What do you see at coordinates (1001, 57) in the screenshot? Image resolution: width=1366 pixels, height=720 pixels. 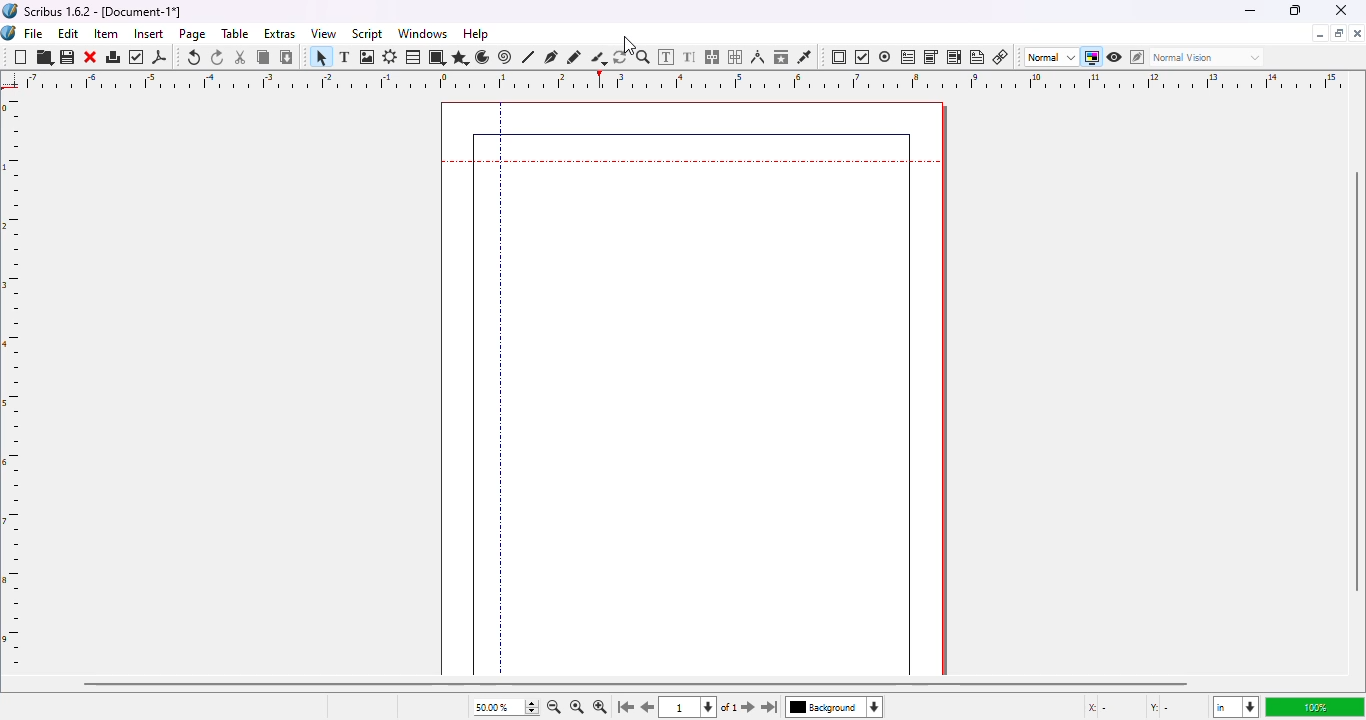 I see `link annotation` at bounding box center [1001, 57].